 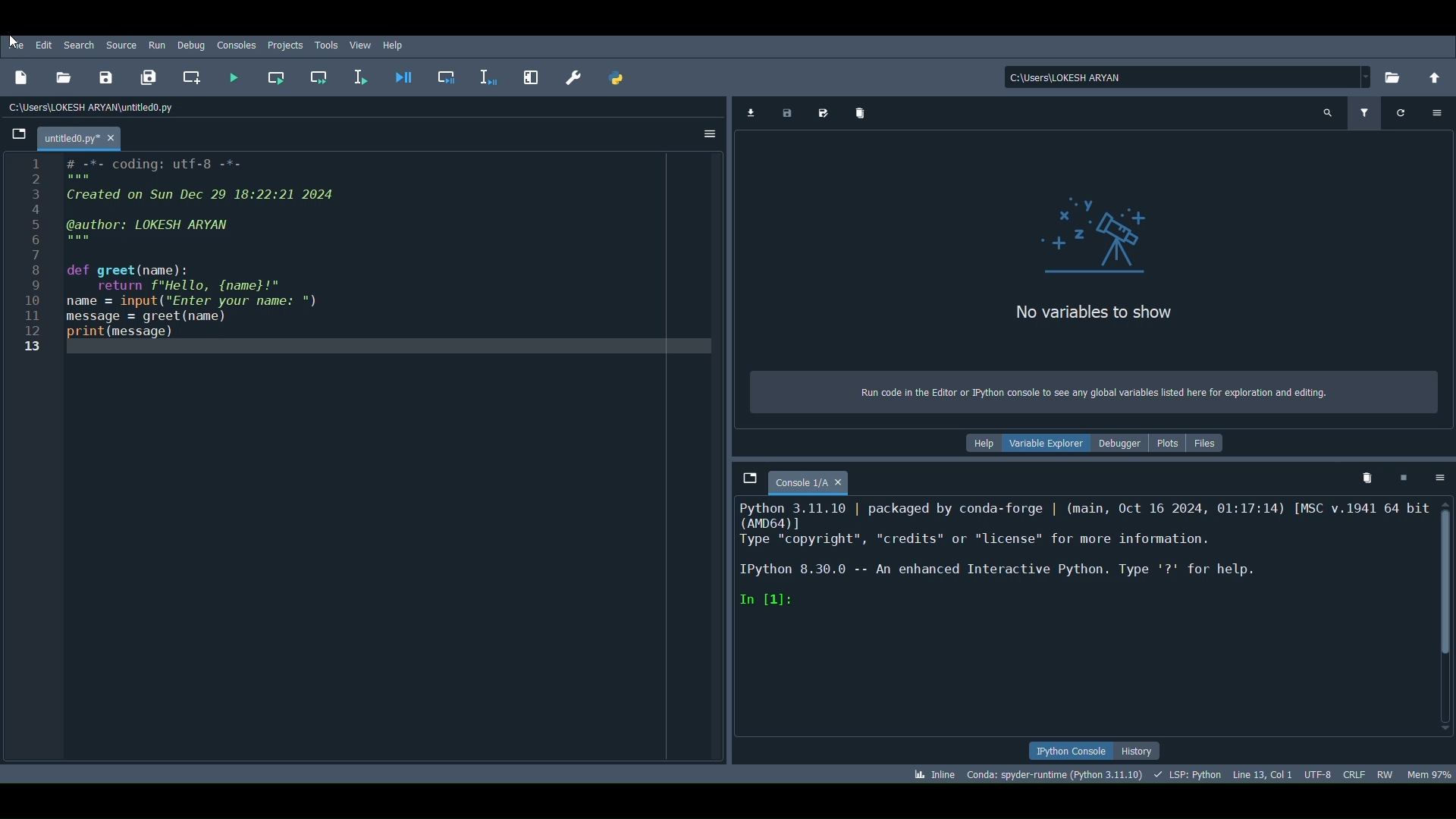 I want to click on Plots, so click(x=1165, y=442).